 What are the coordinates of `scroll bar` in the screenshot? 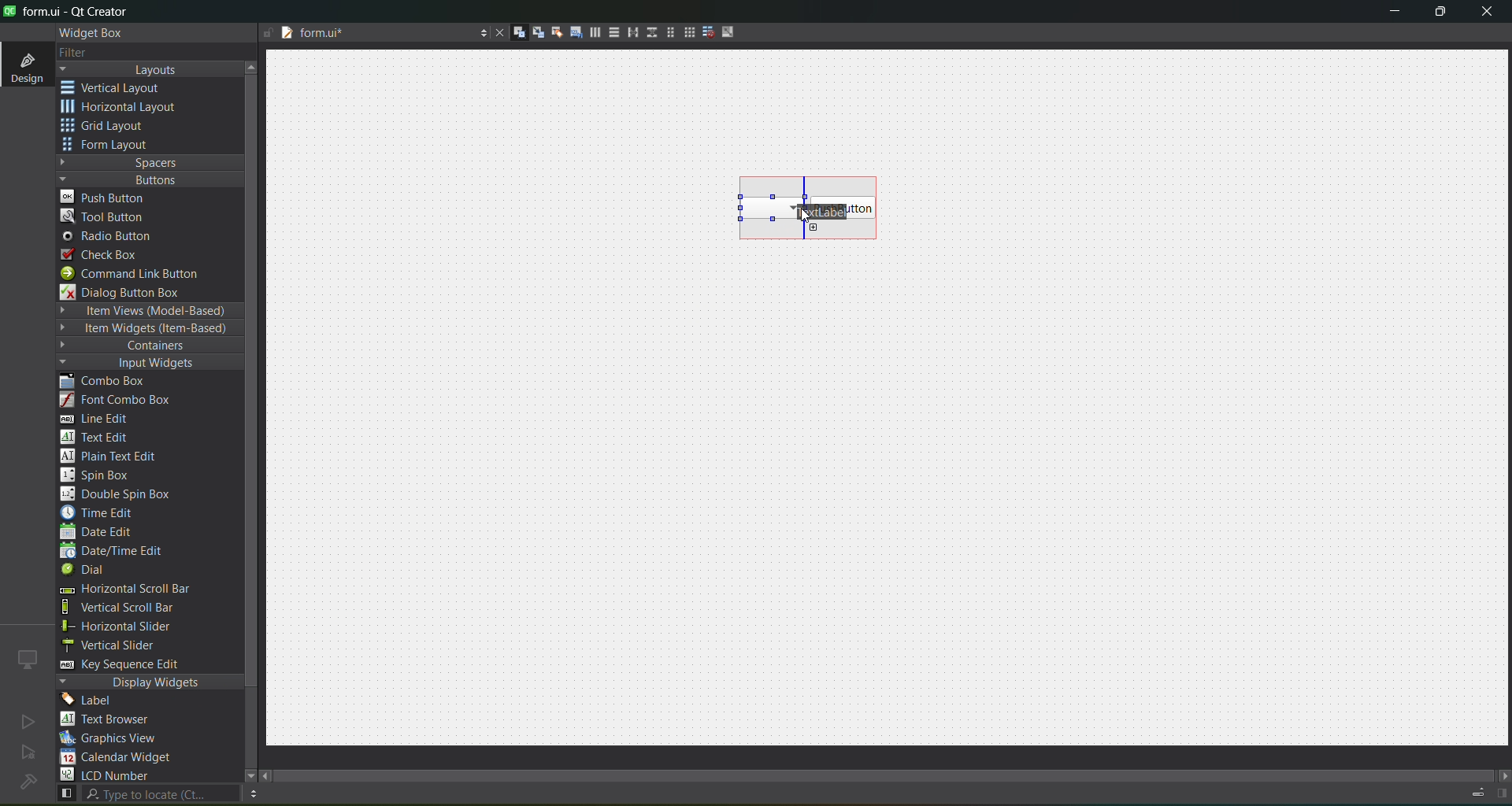 It's located at (896, 771).